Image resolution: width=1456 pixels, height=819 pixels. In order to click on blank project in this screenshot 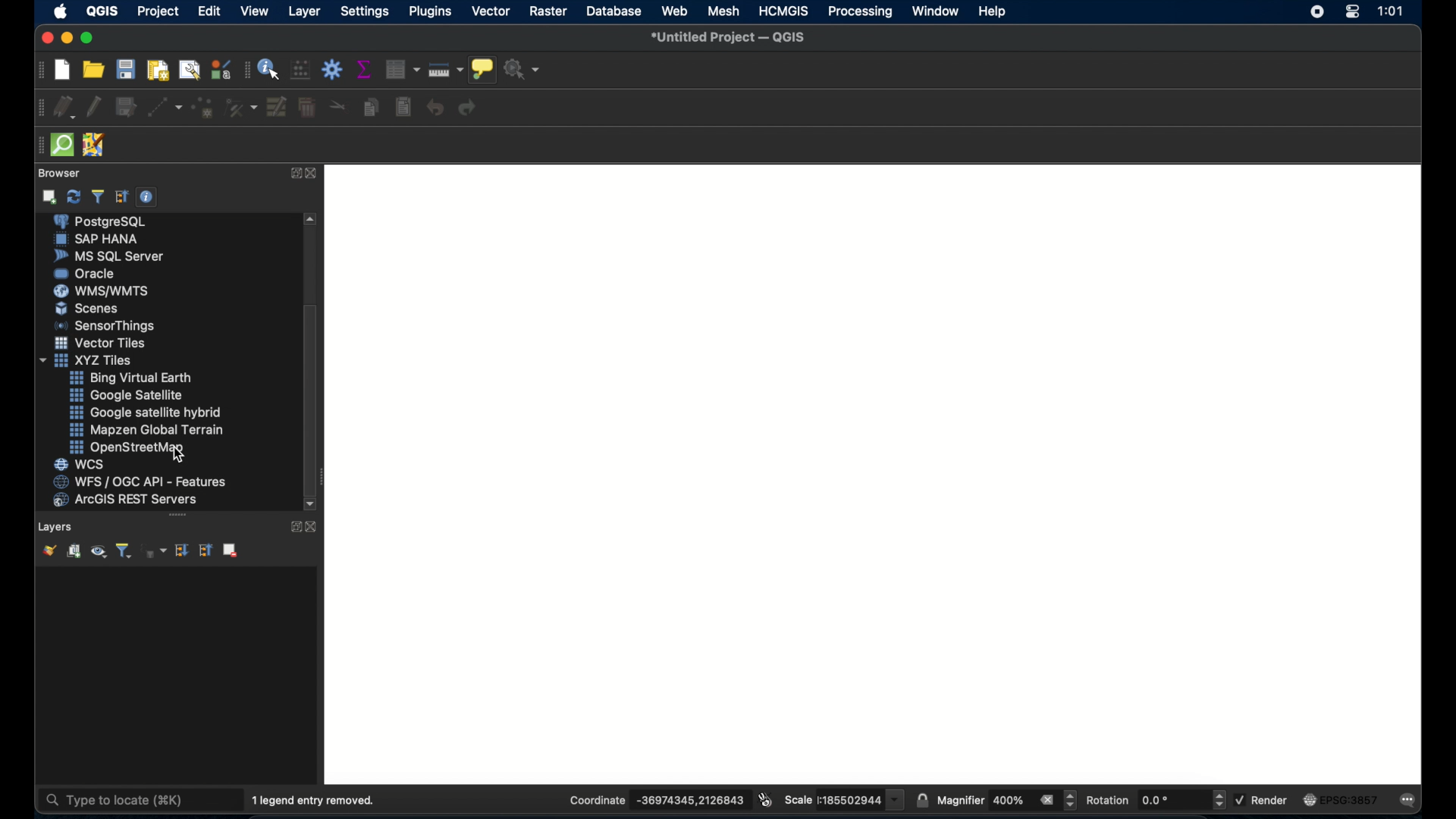, I will do `click(879, 472)`.